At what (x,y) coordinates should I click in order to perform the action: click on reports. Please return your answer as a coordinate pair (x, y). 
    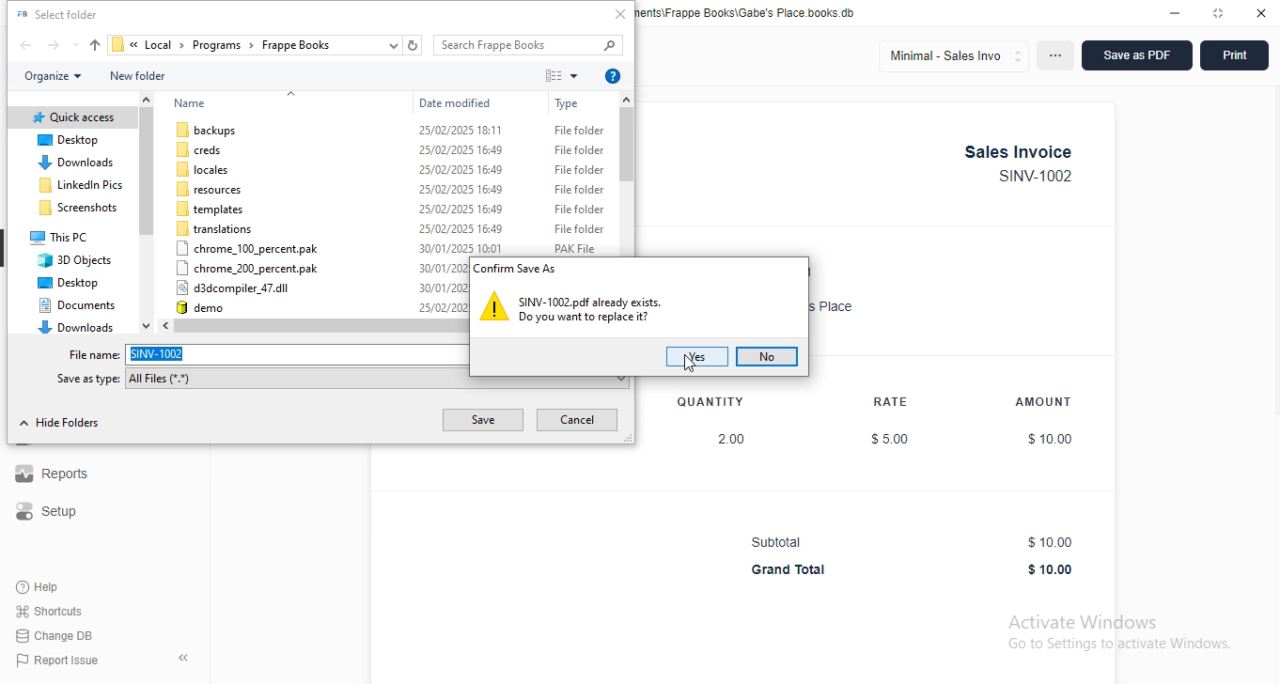
    Looking at the image, I should click on (51, 474).